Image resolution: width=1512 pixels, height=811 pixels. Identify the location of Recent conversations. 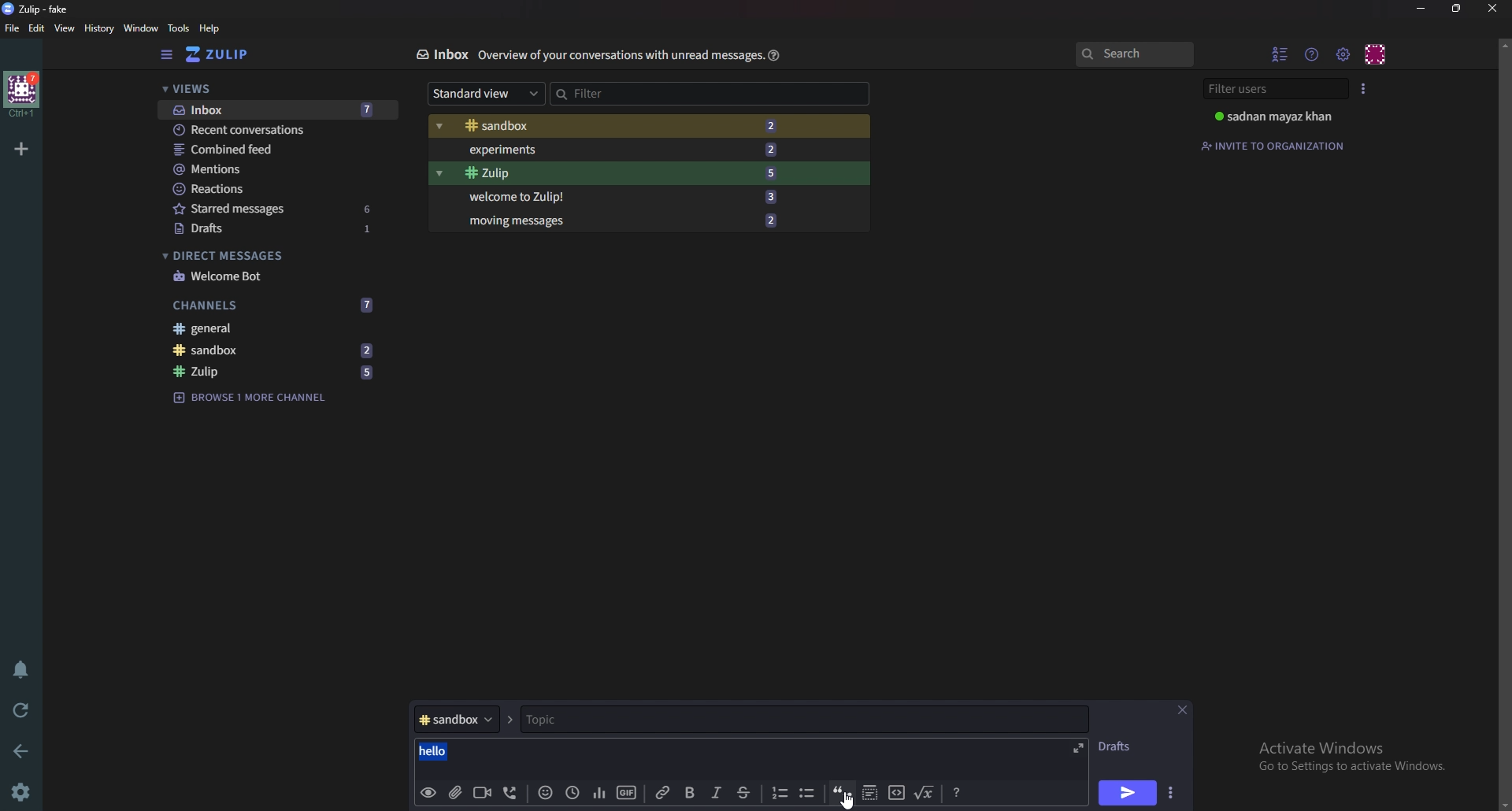
(257, 131).